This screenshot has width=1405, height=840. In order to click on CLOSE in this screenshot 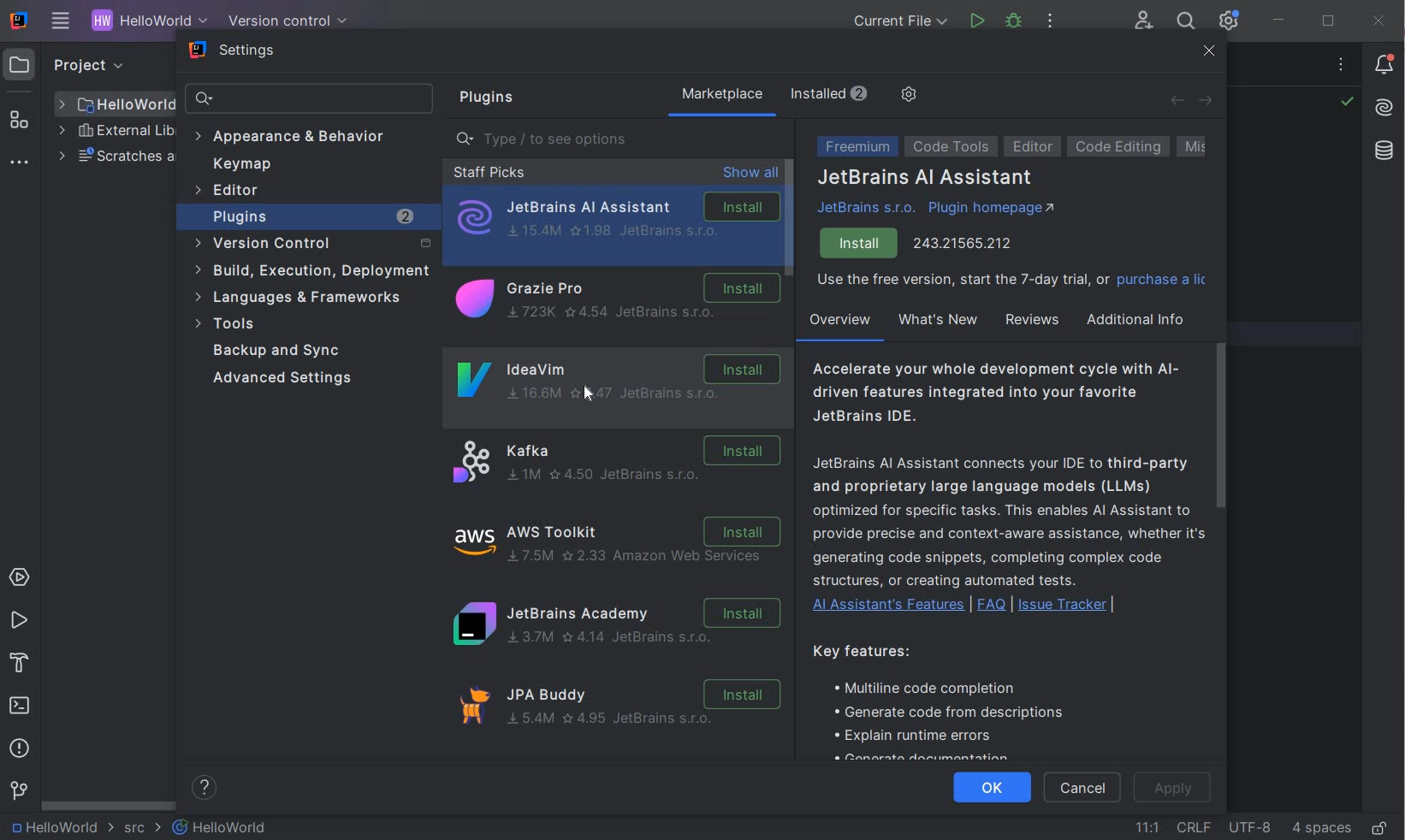, I will do `click(1379, 21)`.